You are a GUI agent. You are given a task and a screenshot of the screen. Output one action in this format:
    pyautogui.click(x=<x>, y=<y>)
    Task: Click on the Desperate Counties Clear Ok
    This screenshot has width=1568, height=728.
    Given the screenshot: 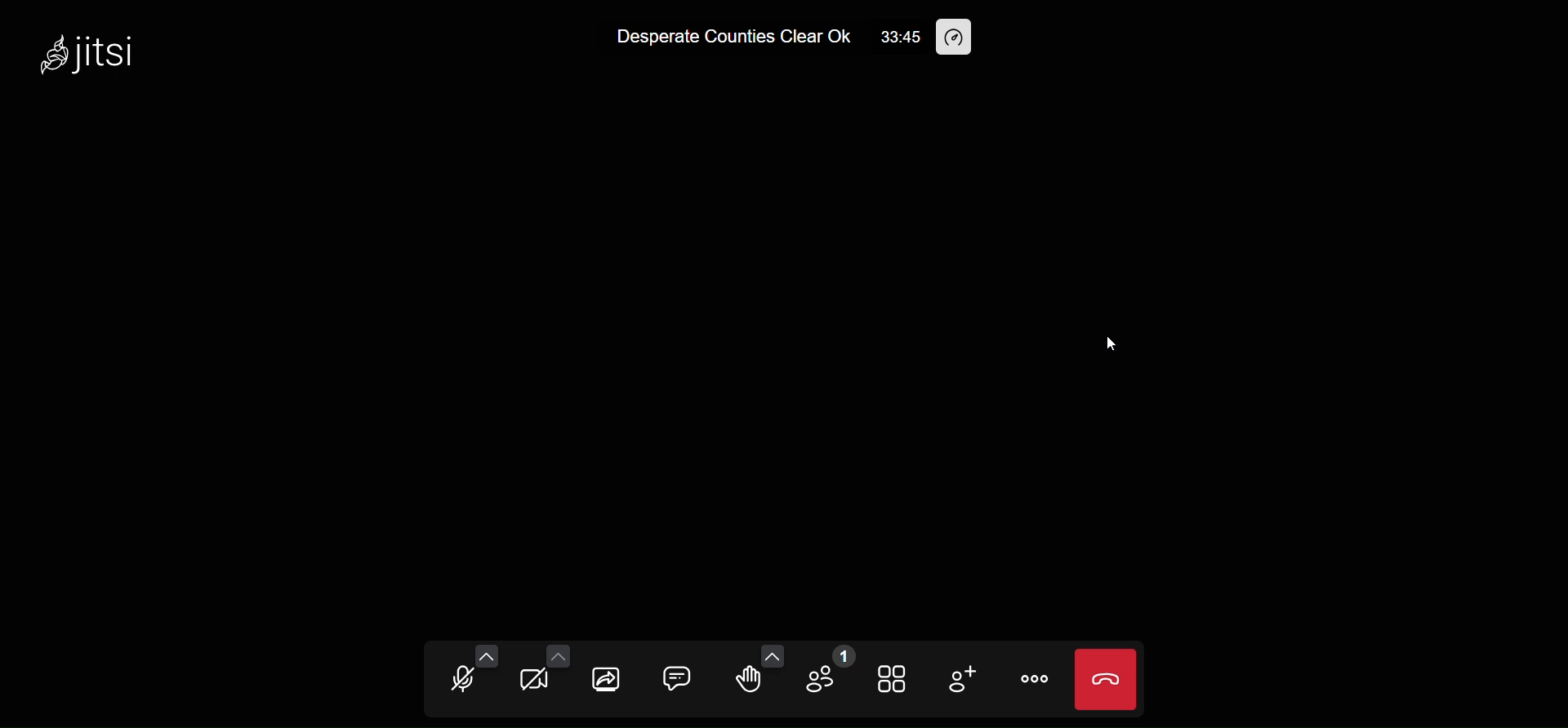 What is the action you would take?
    pyautogui.click(x=725, y=36)
    